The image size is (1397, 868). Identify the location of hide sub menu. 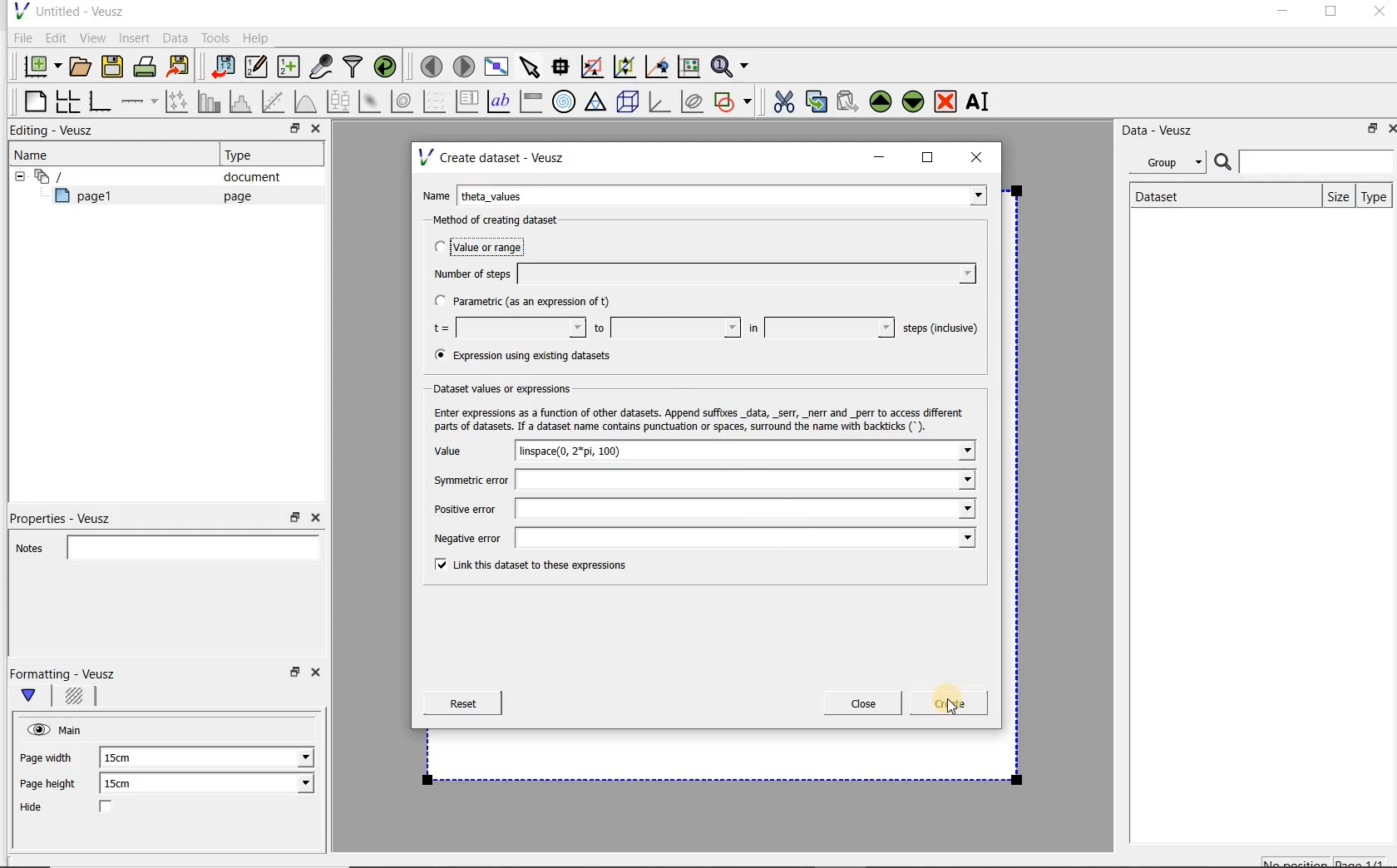
(16, 175).